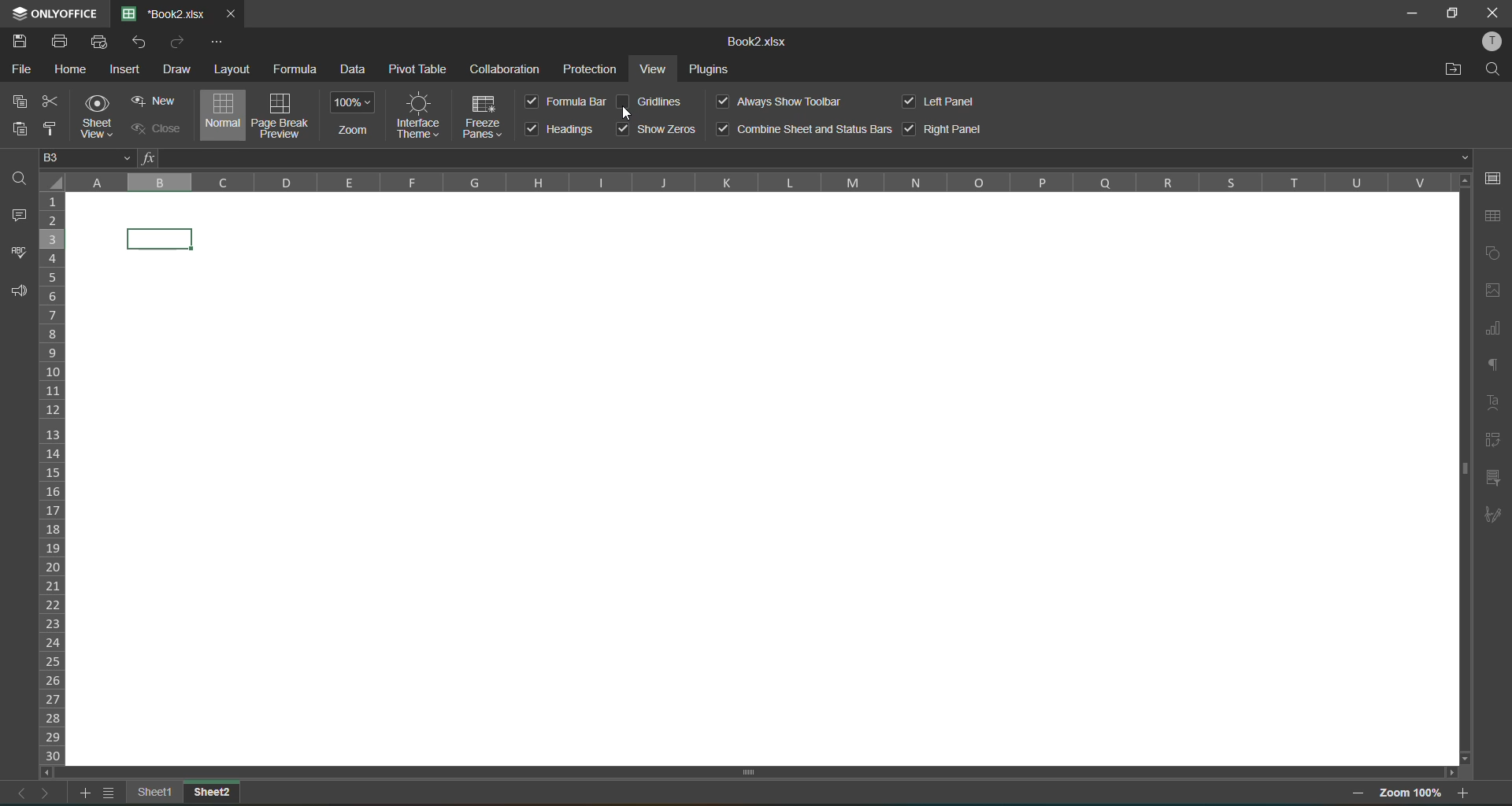 The image size is (1512, 806). I want to click on previous, so click(16, 793).